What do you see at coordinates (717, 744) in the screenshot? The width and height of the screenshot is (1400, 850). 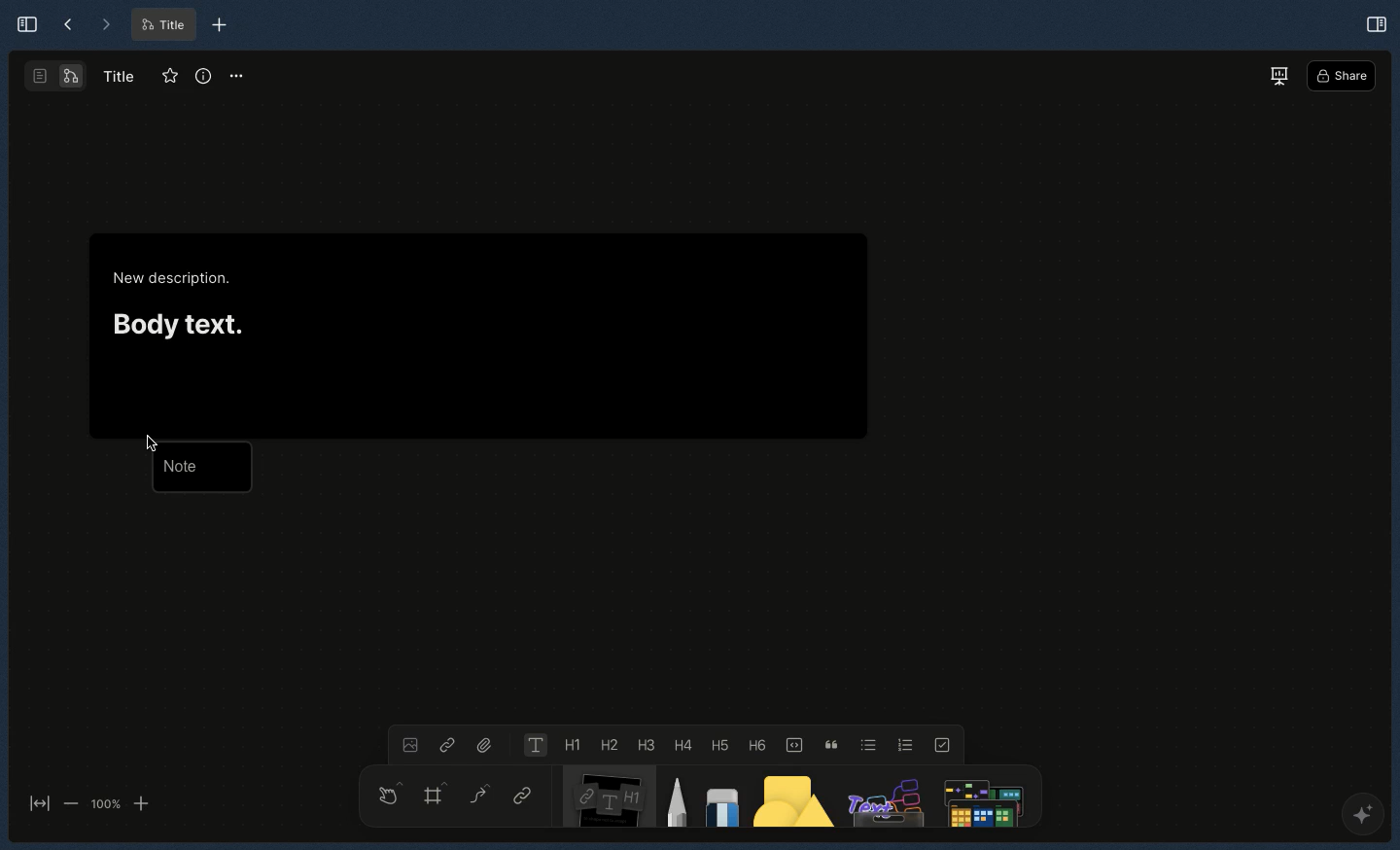 I see `Heading 5` at bounding box center [717, 744].